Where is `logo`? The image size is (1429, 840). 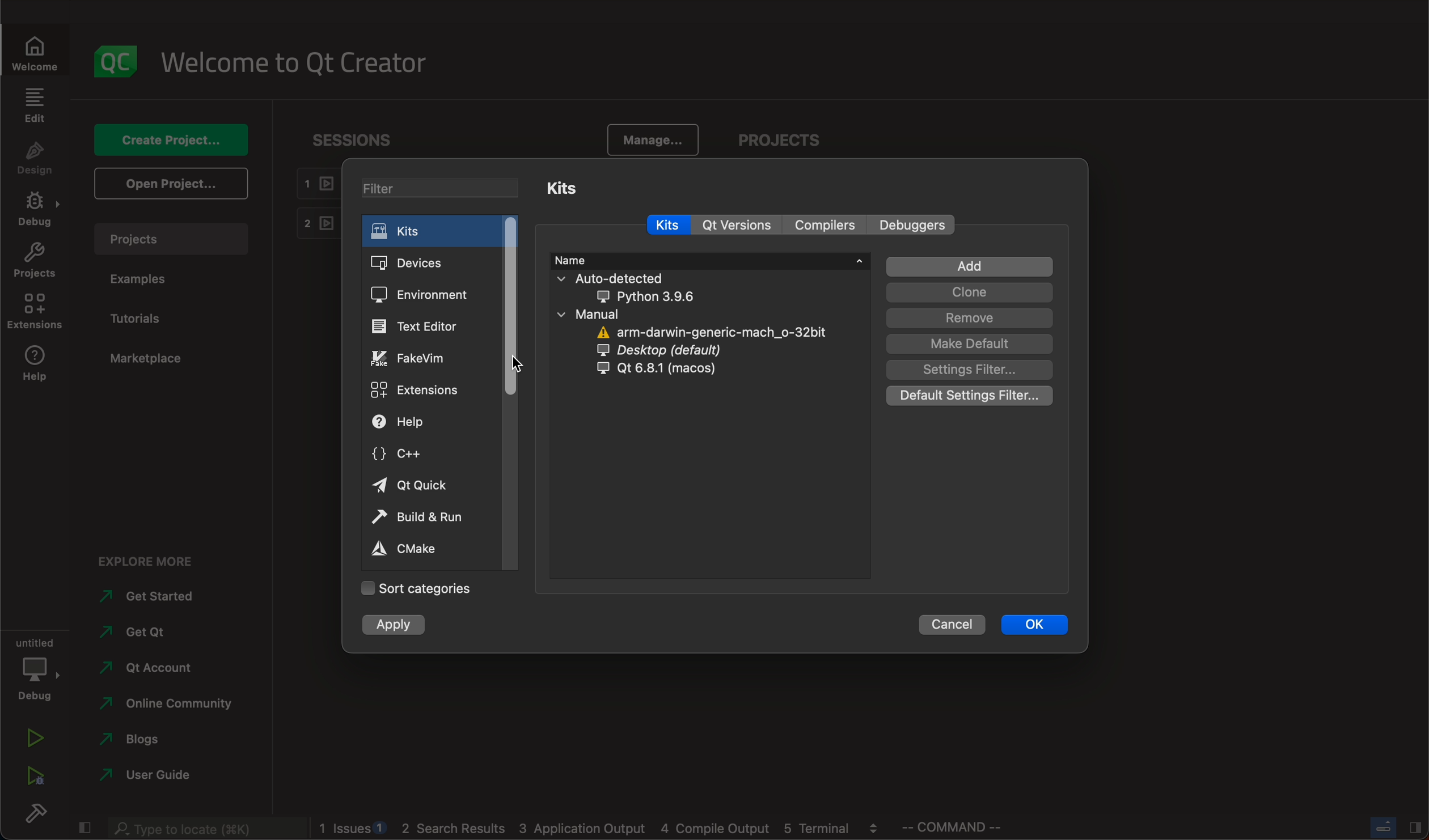
logo is located at coordinates (119, 61).